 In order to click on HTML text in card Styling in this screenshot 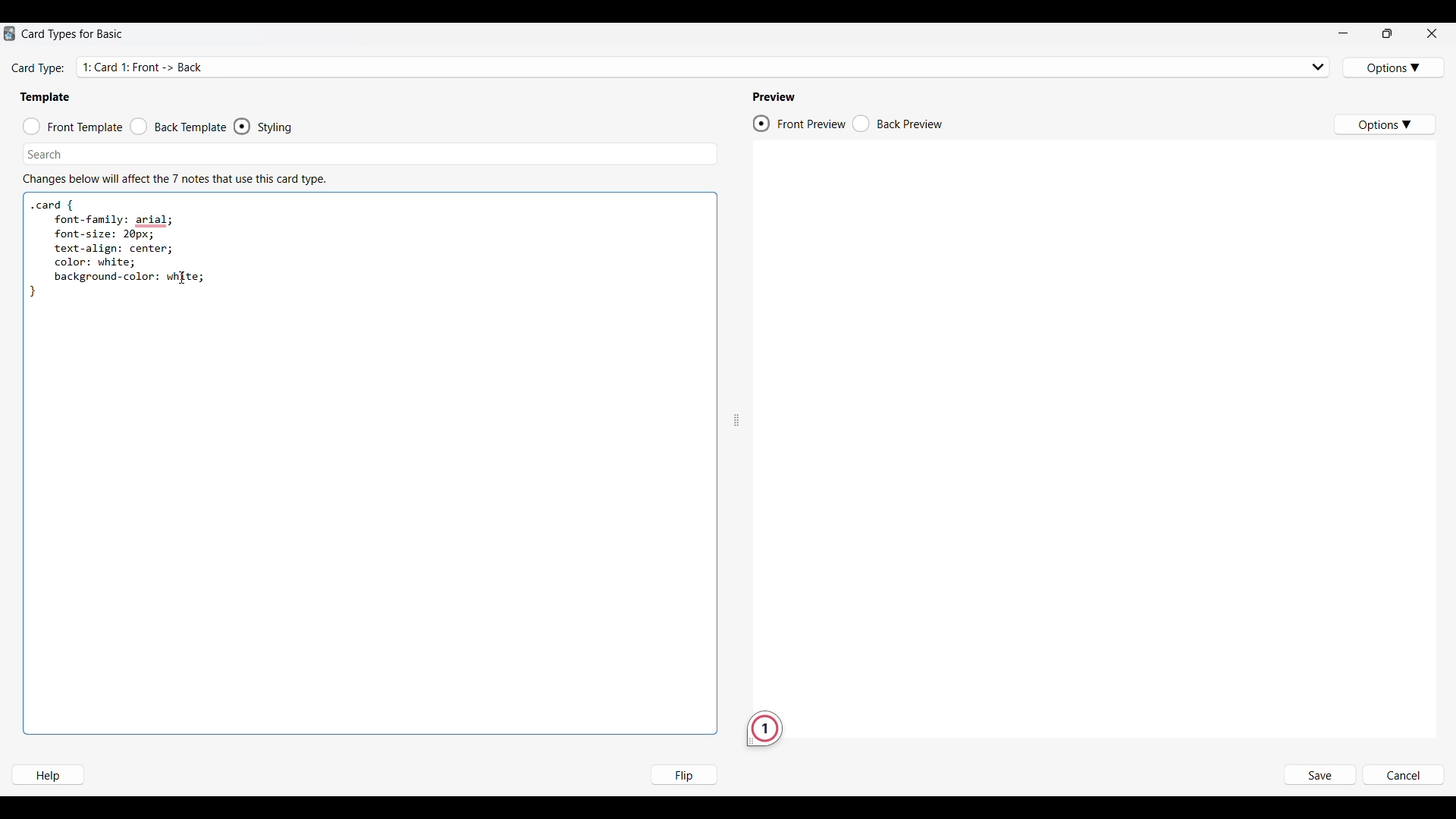, I will do `click(124, 250)`.